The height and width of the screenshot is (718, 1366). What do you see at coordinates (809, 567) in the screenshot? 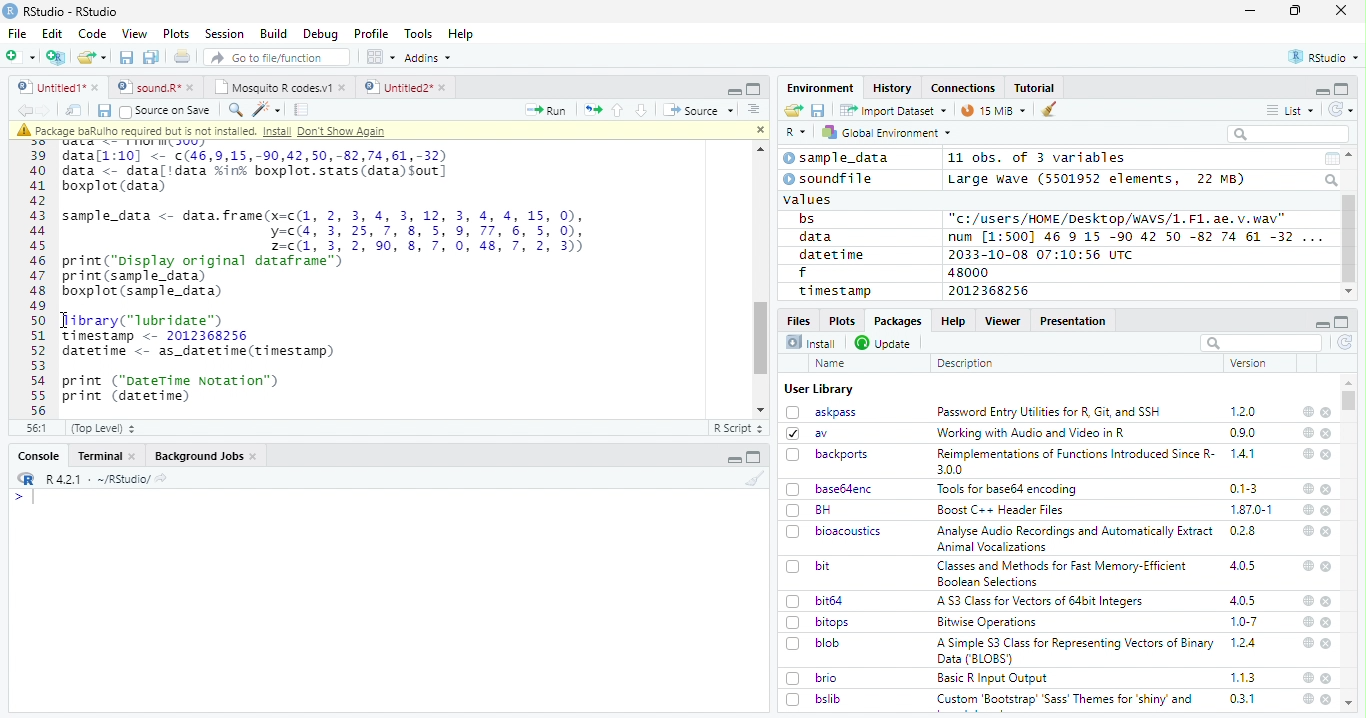
I see `bit` at bounding box center [809, 567].